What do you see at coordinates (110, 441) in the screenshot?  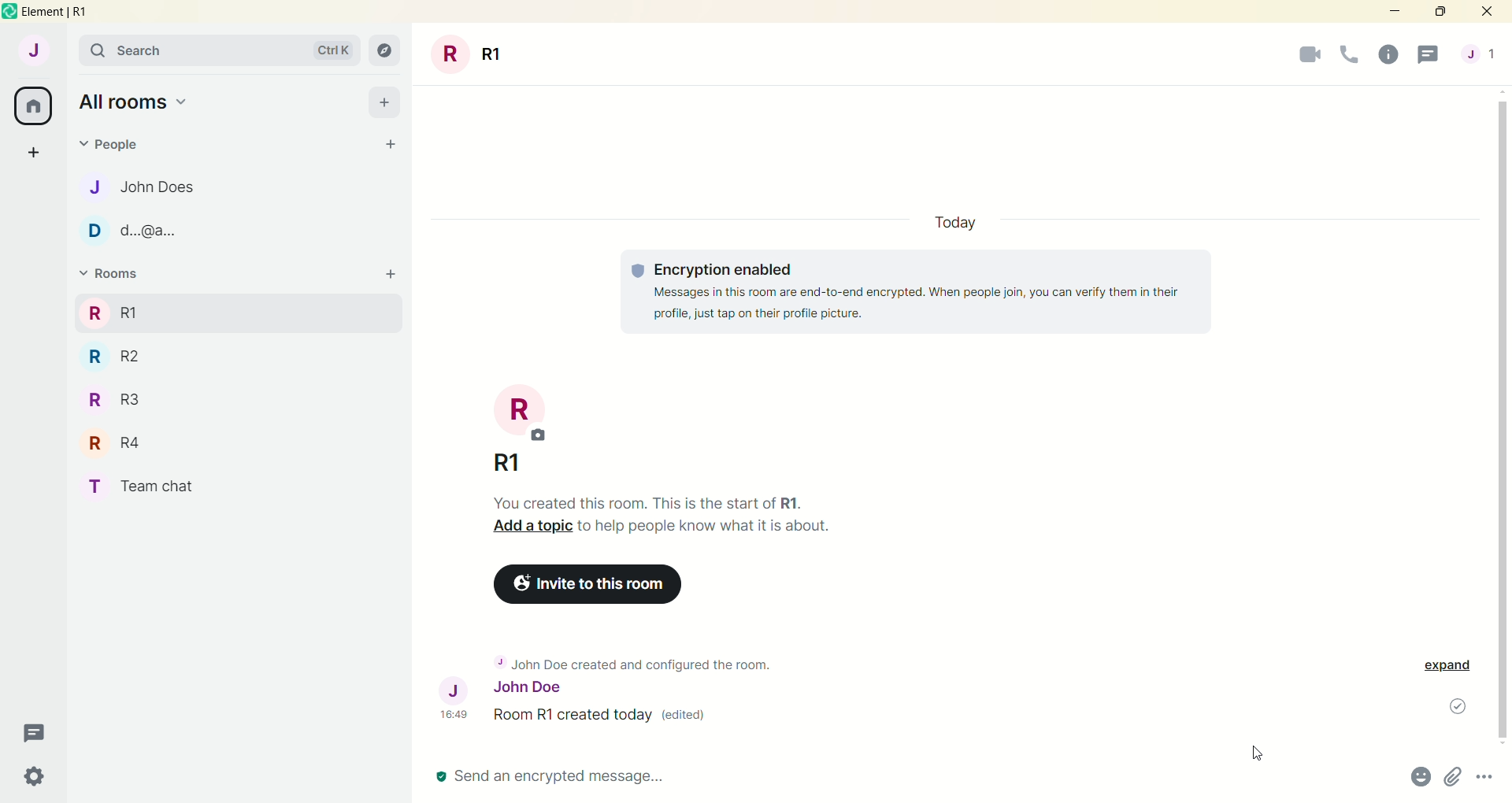 I see `R R4` at bounding box center [110, 441].